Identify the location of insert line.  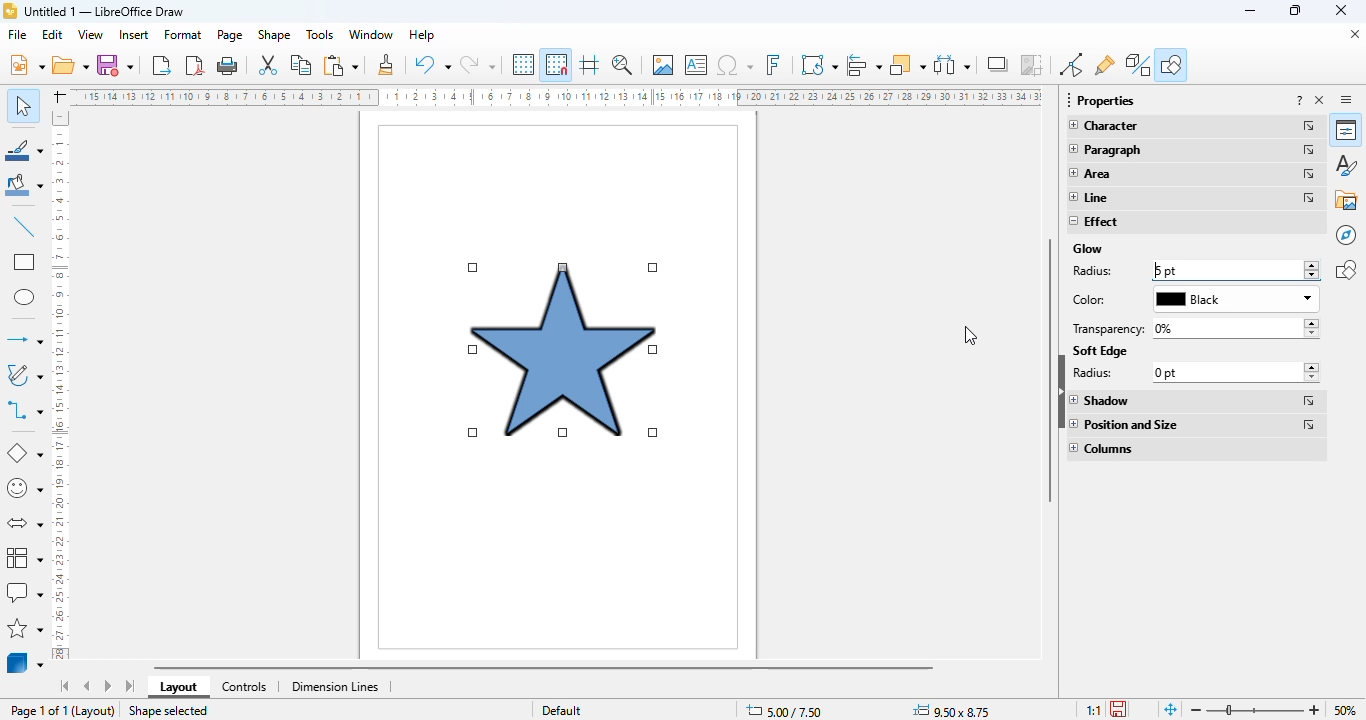
(24, 228).